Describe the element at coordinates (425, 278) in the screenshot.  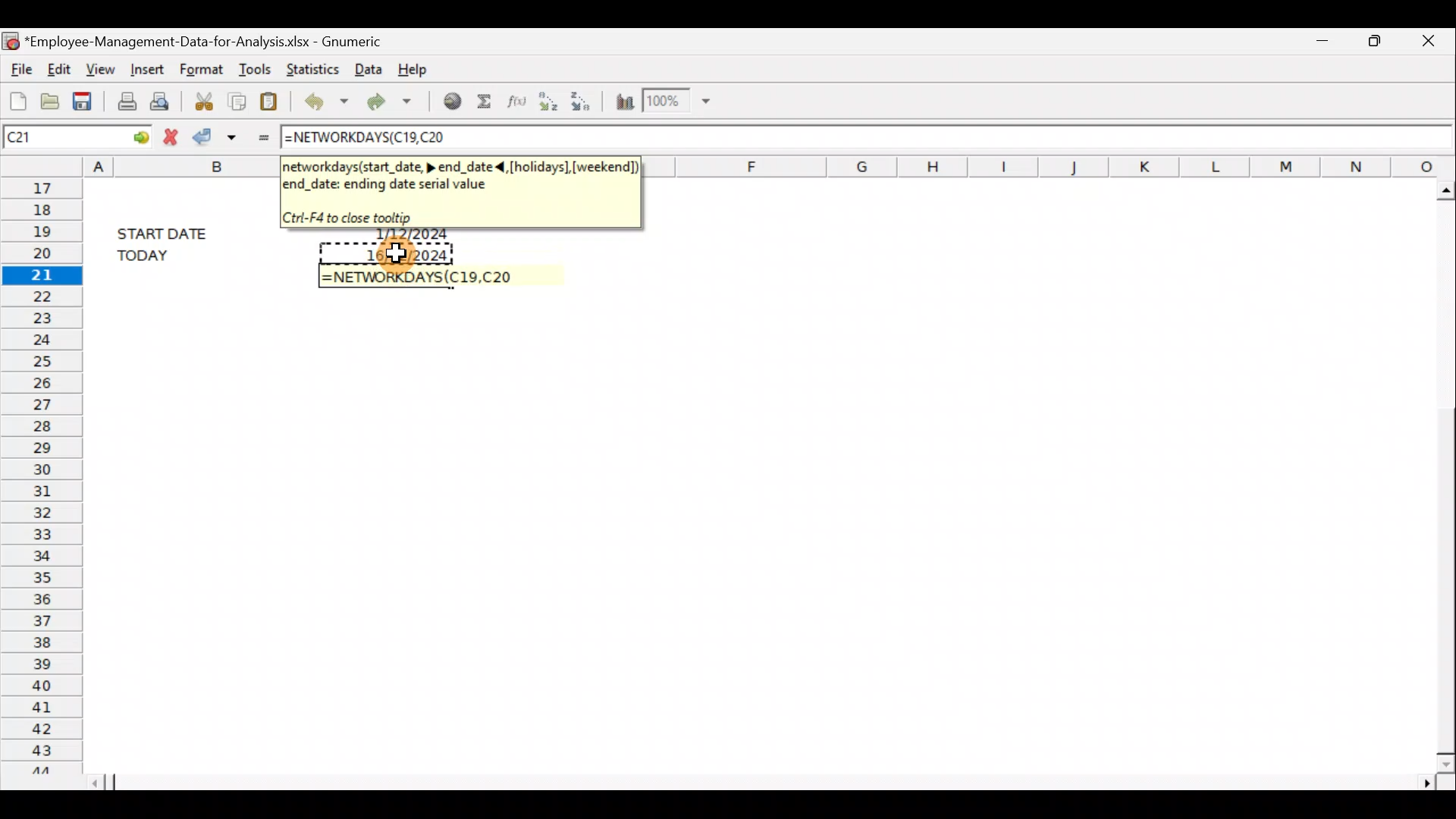
I see `=NETWORKDAYS(C19,20` at that location.